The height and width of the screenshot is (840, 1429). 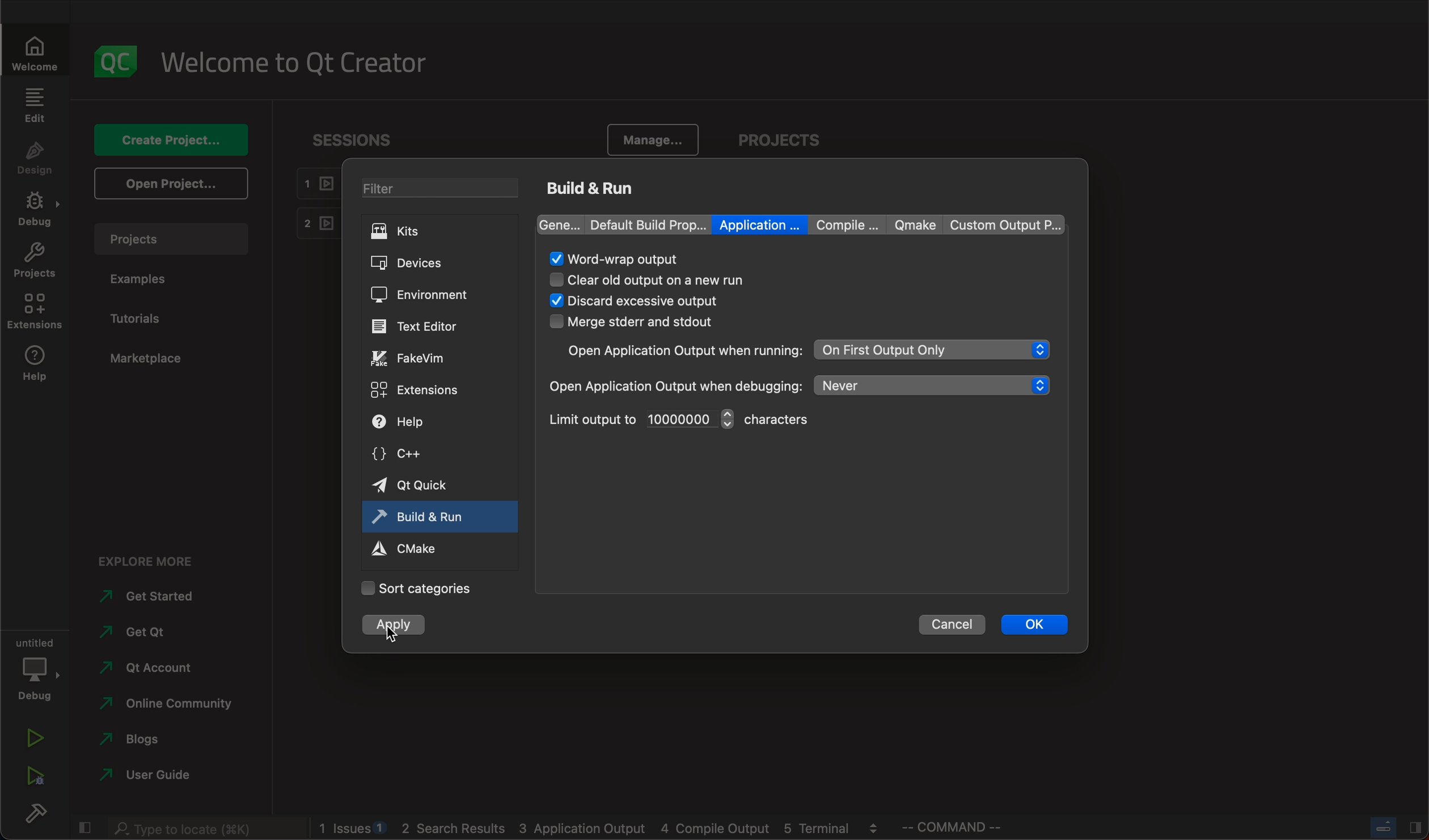 I want to click on debug, so click(x=35, y=208).